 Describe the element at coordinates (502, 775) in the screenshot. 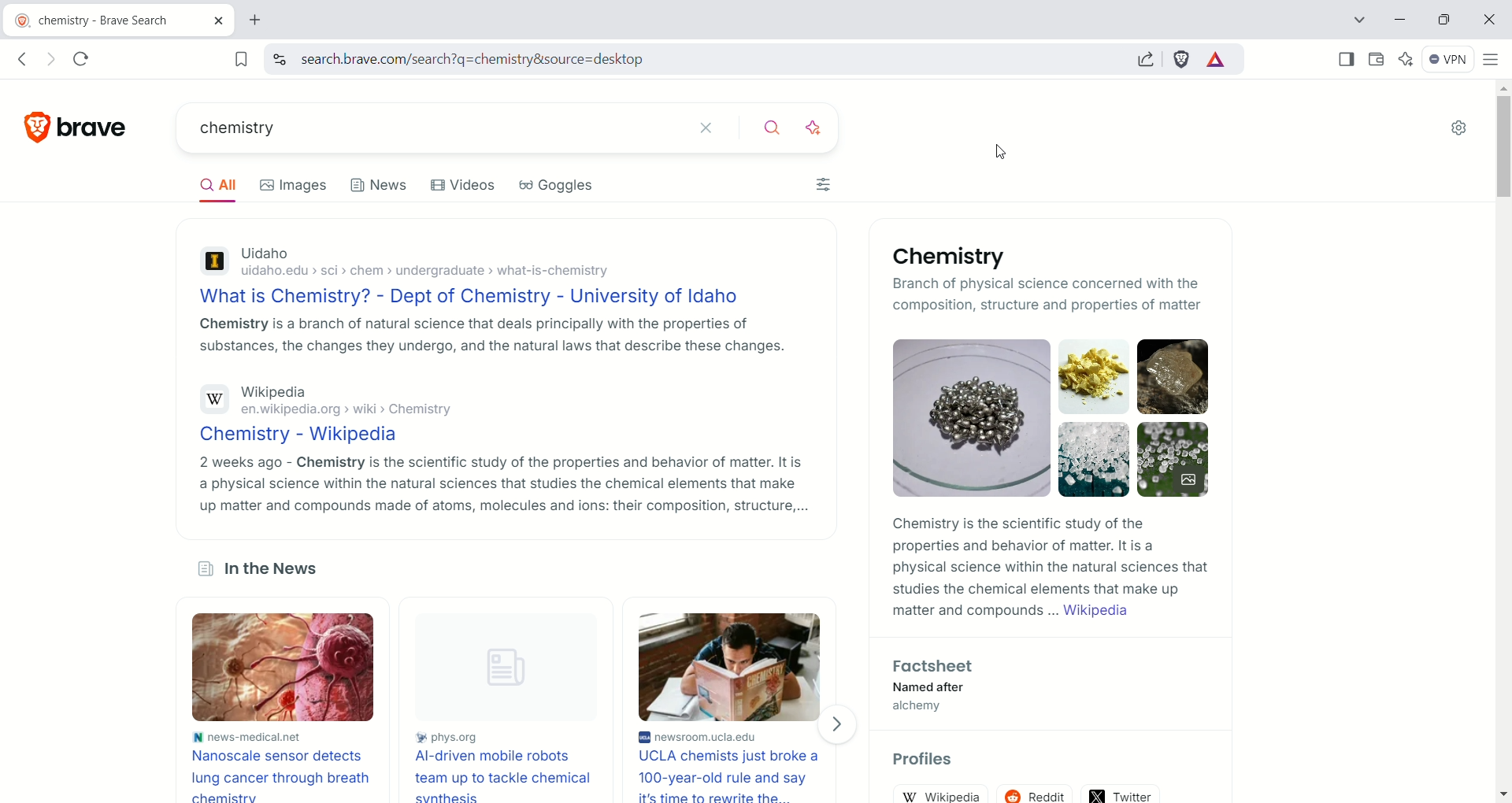

I see `AI-Driven mobile robots team up to tackle chemical synthesis` at that location.